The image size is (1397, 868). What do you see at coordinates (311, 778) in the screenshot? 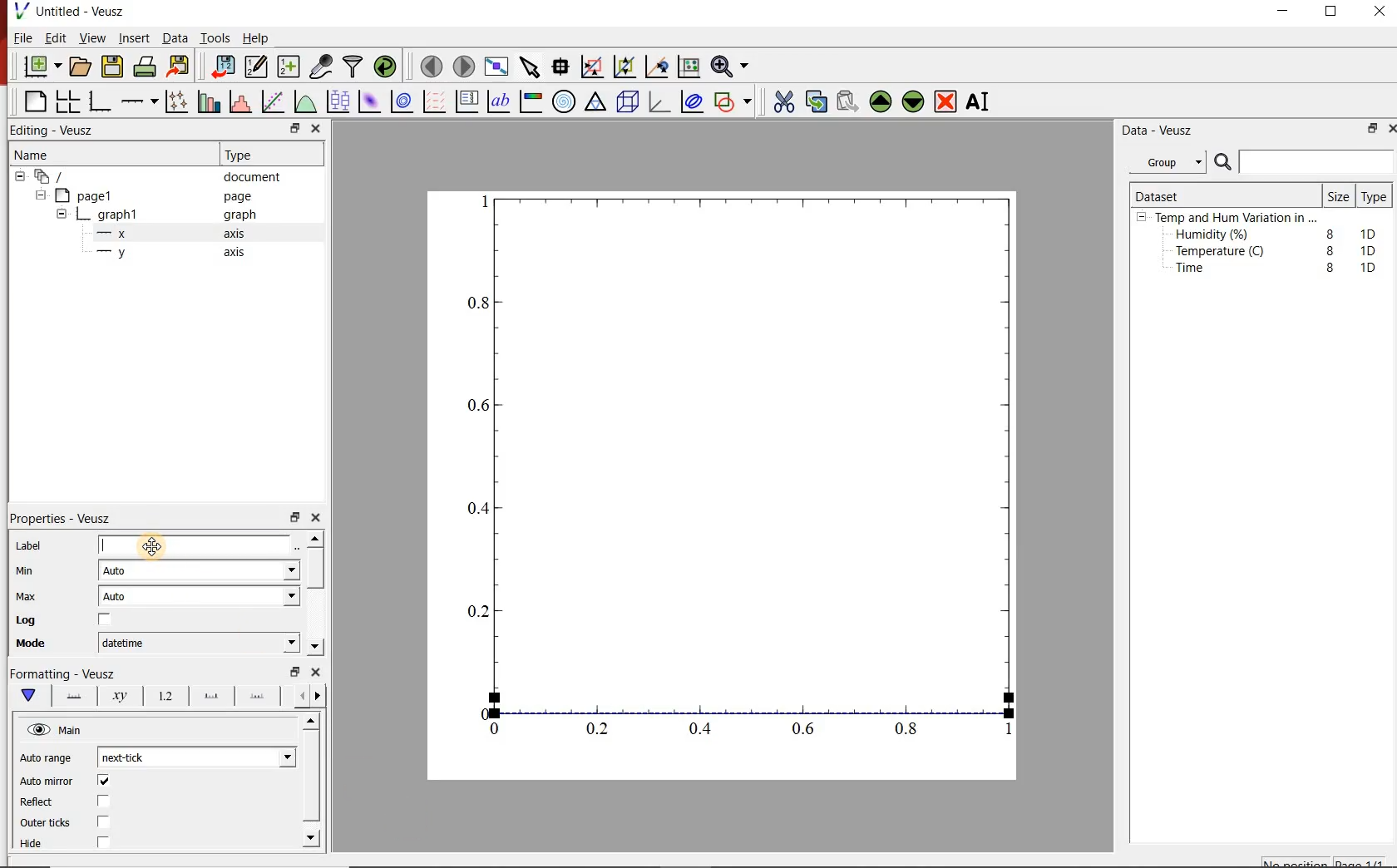
I see `scroll bar` at bounding box center [311, 778].